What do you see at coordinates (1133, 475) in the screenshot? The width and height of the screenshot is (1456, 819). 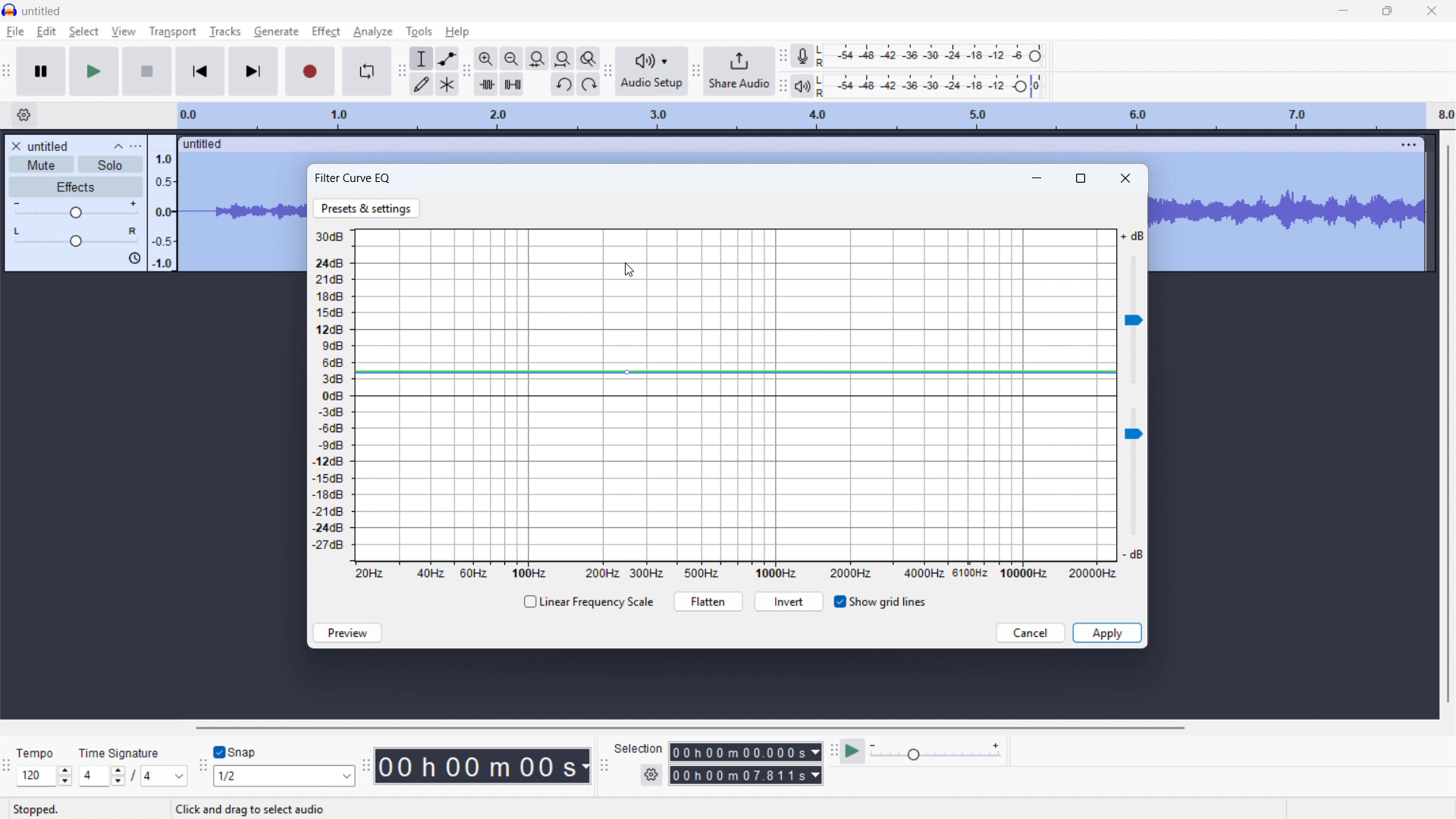 I see `Slider to change amplitude ` at bounding box center [1133, 475].